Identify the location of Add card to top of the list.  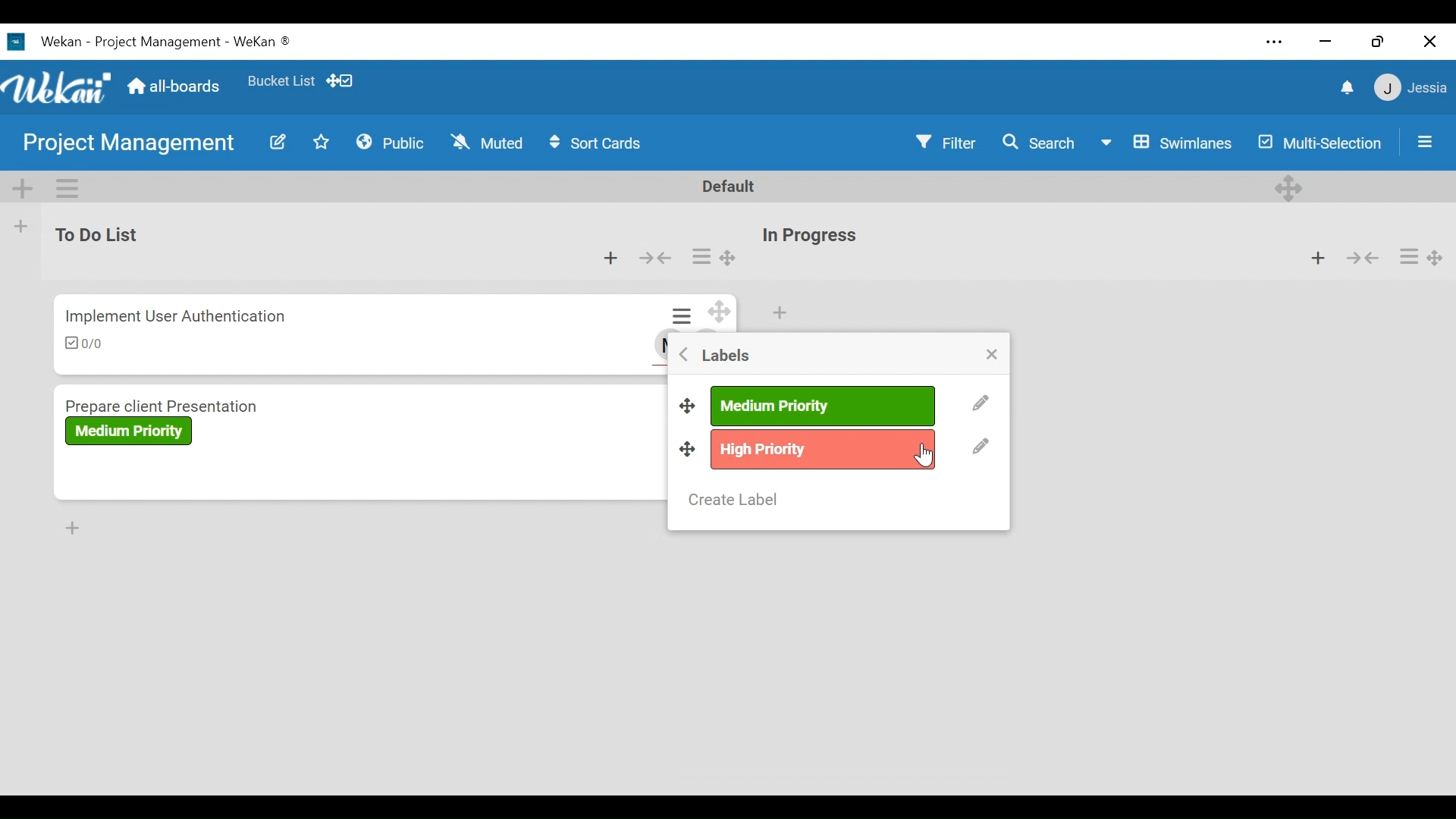
(1318, 257).